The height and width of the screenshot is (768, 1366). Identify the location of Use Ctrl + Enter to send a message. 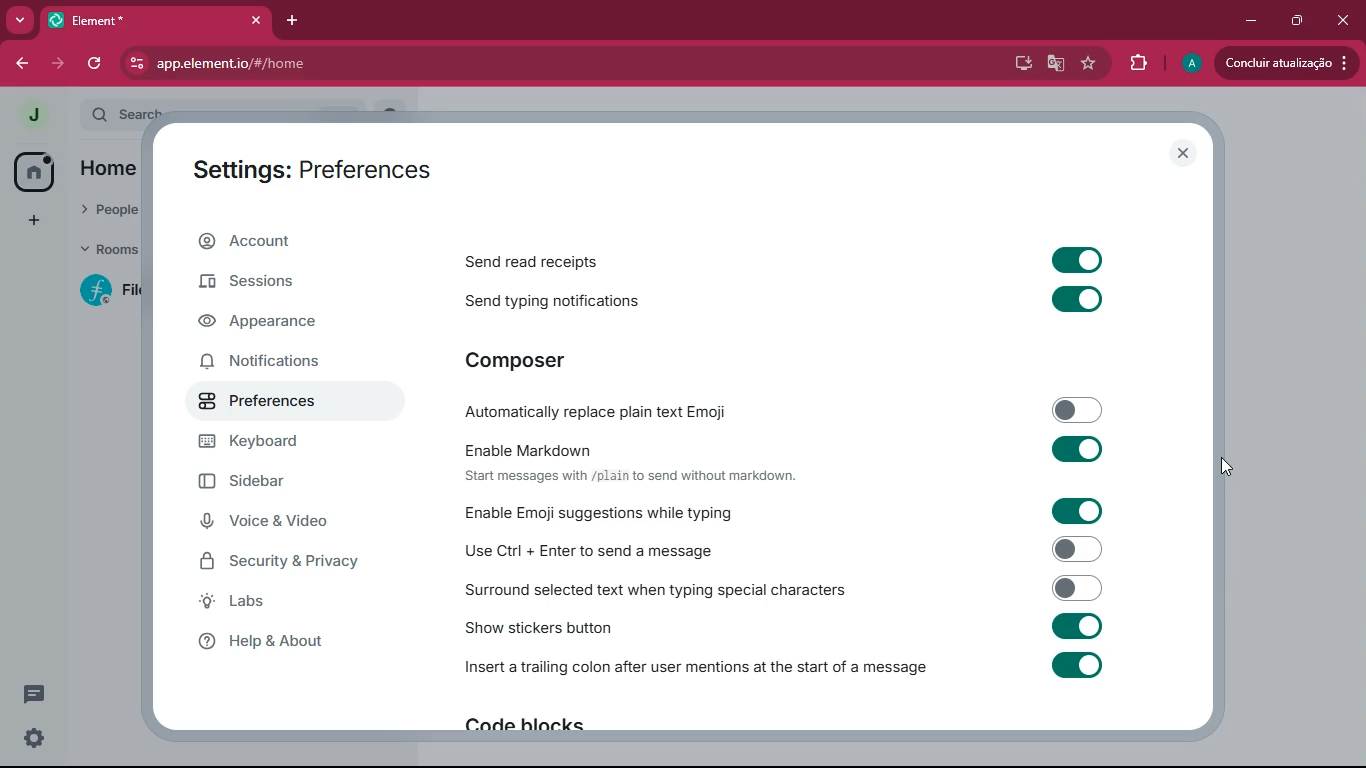
(780, 549).